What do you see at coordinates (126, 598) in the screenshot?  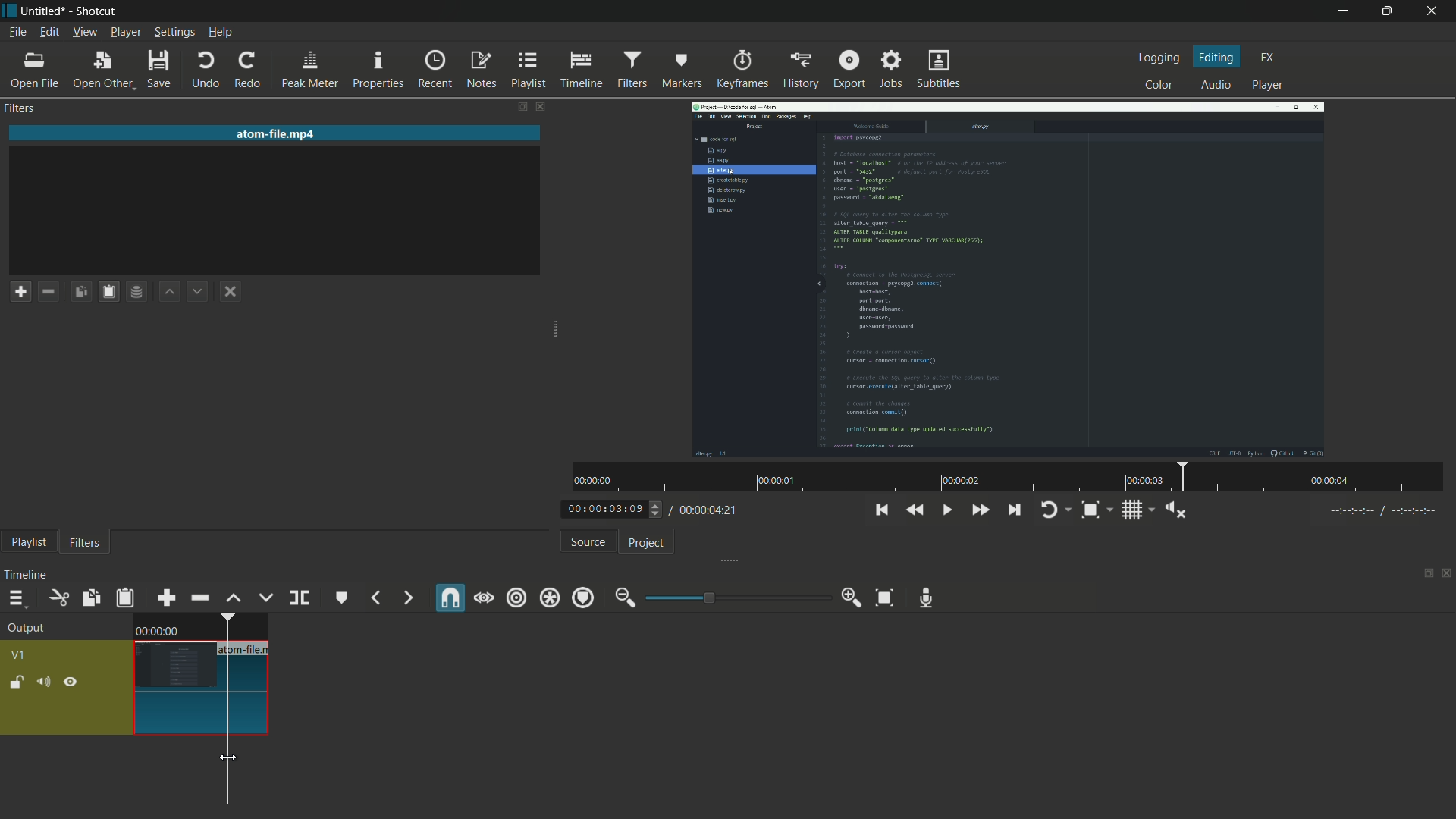 I see `paste` at bounding box center [126, 598].